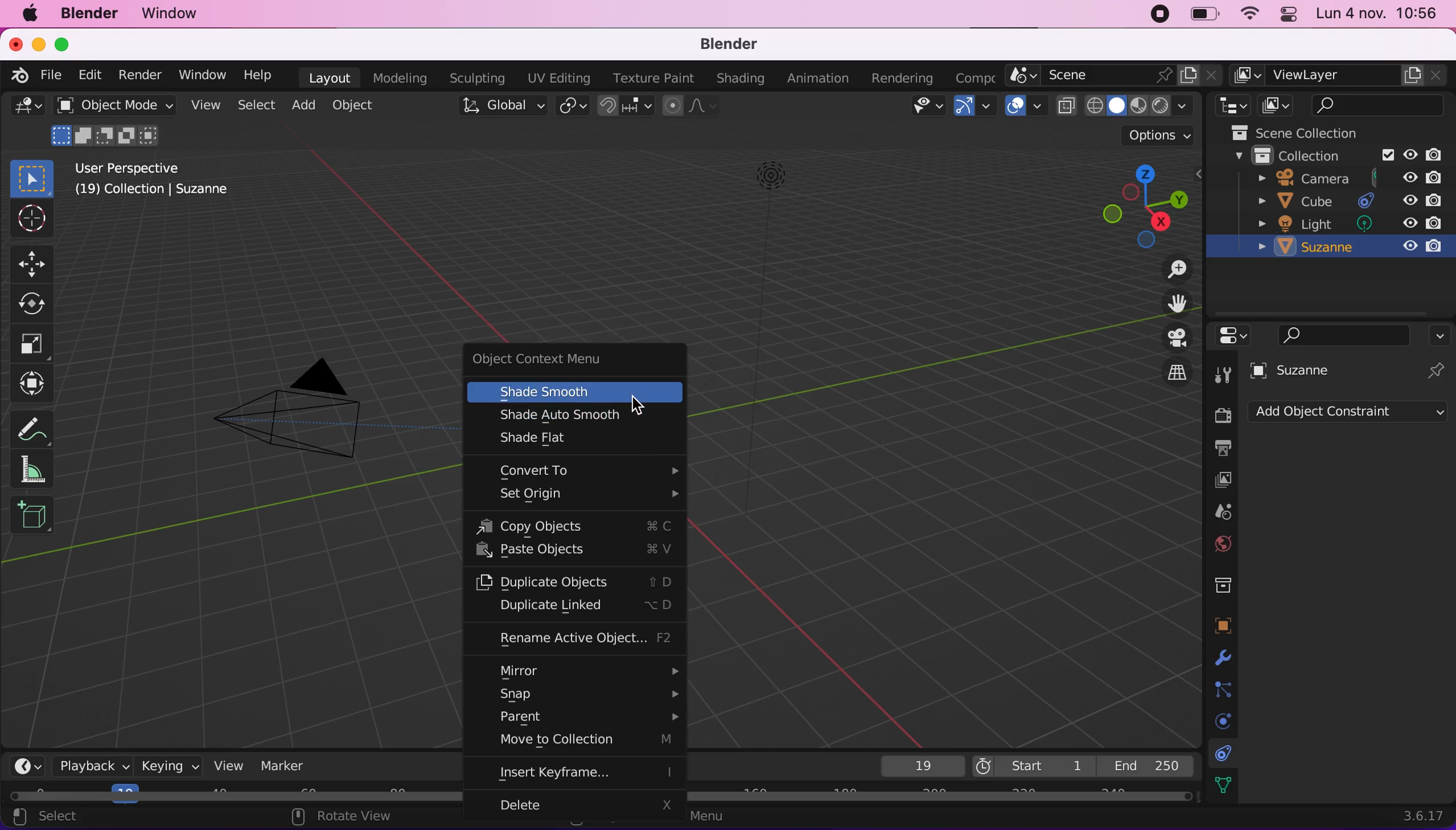 Image resolution: width=1456 pixels, height=830 pixels. Describe the element at coordinates (584, 715) in the screenshot. I see `parent` at that location.